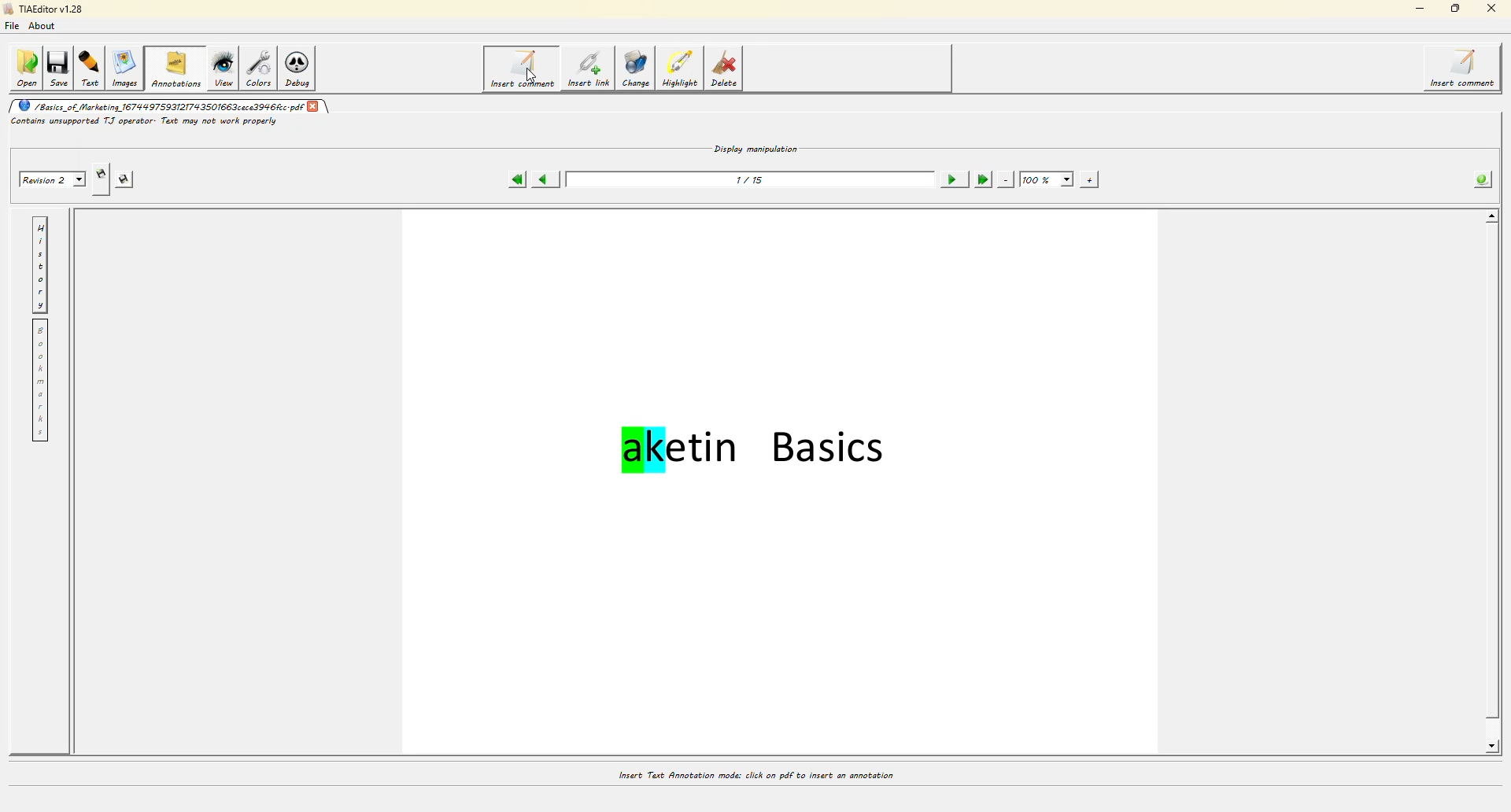 Image resolution: width=1511 pixels, height=812 pixels. I want to click on annotations, so click(176, 68).